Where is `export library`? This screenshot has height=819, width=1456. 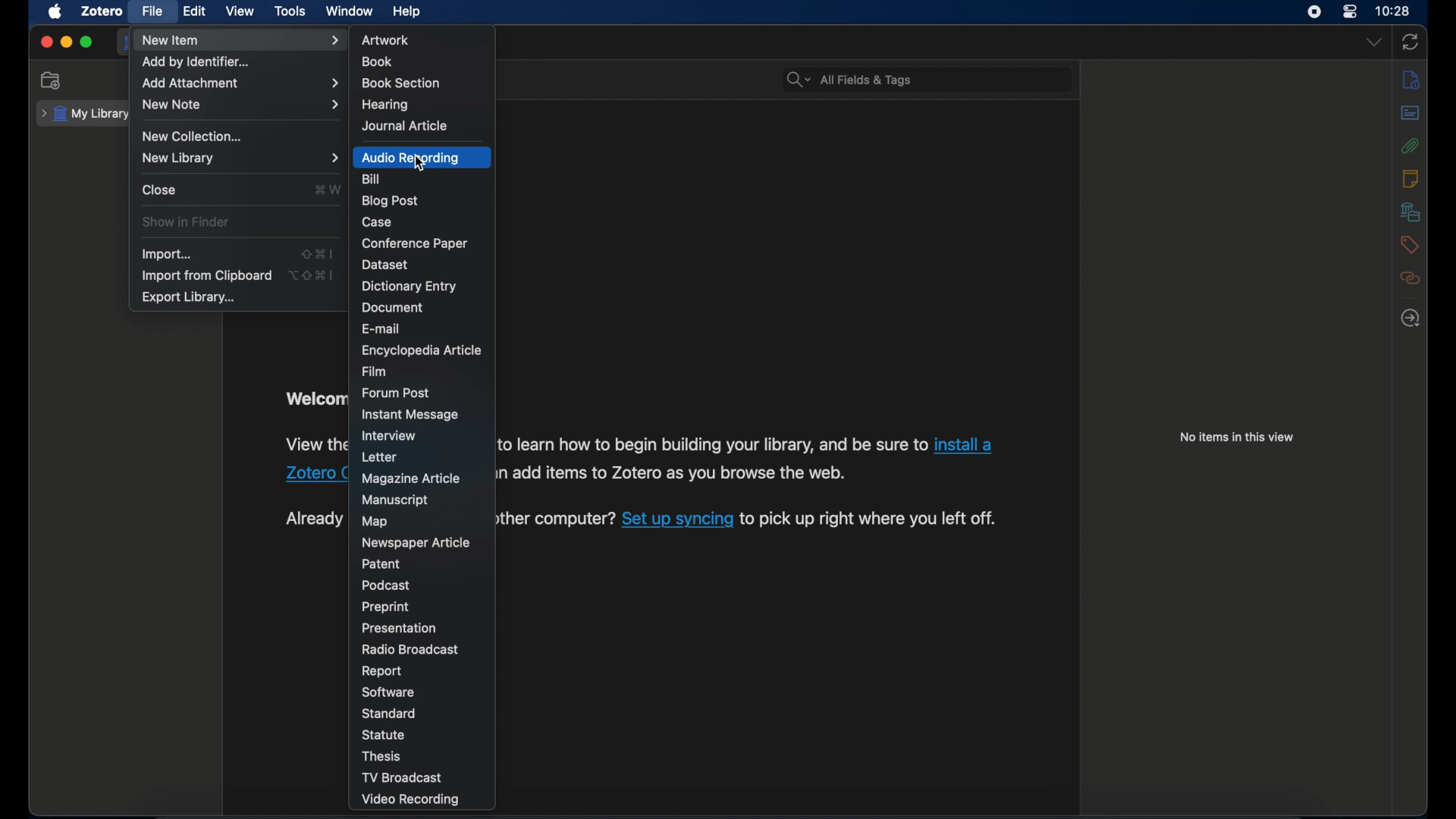
export library is located at coordinates (188, 297).